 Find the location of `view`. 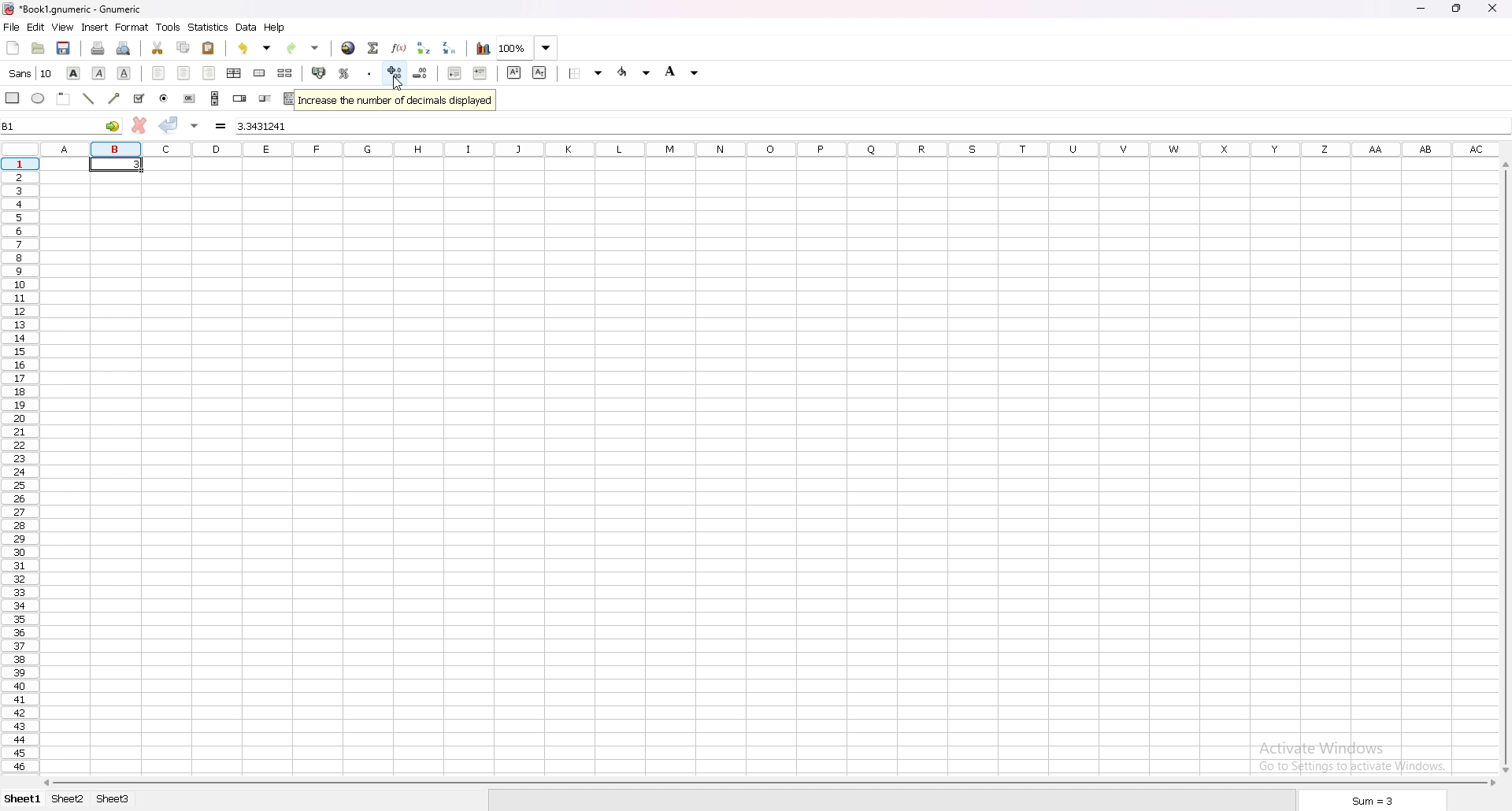

view is located at coordinates (63, 27).